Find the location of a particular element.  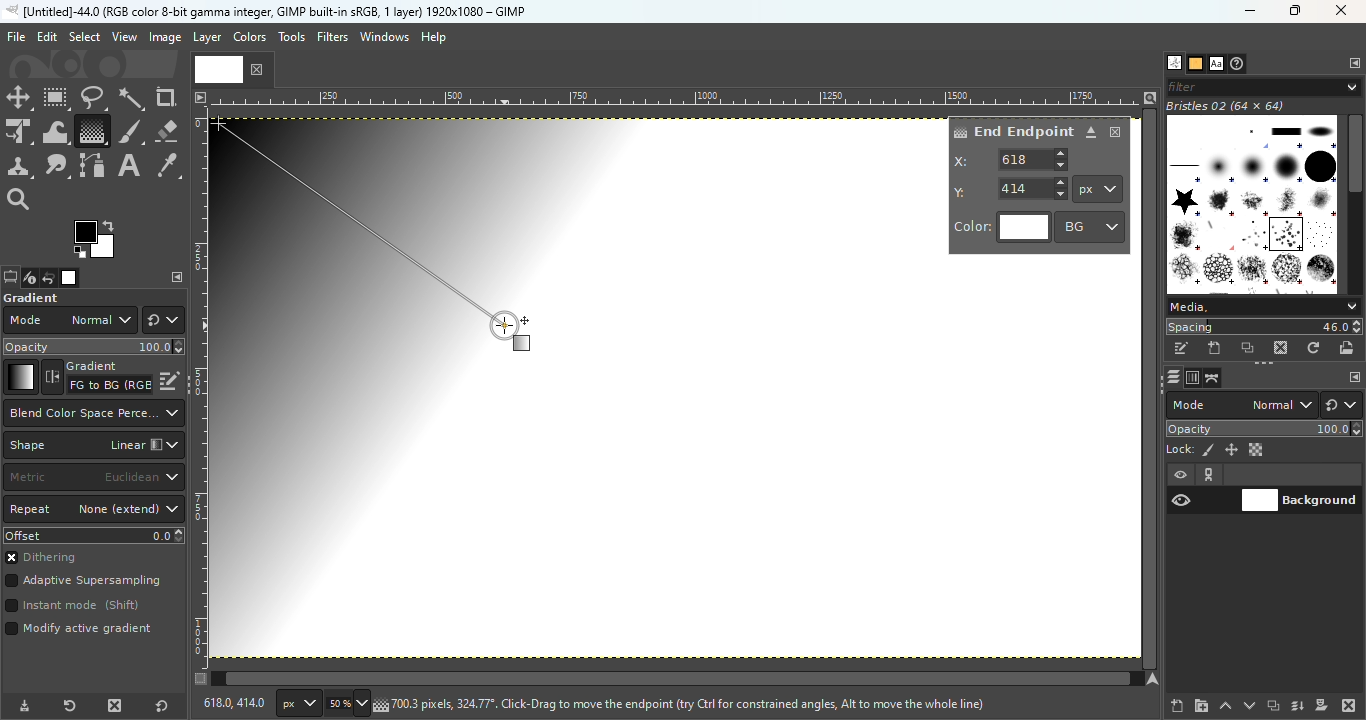

Color is located at coordinates (1002, 228).